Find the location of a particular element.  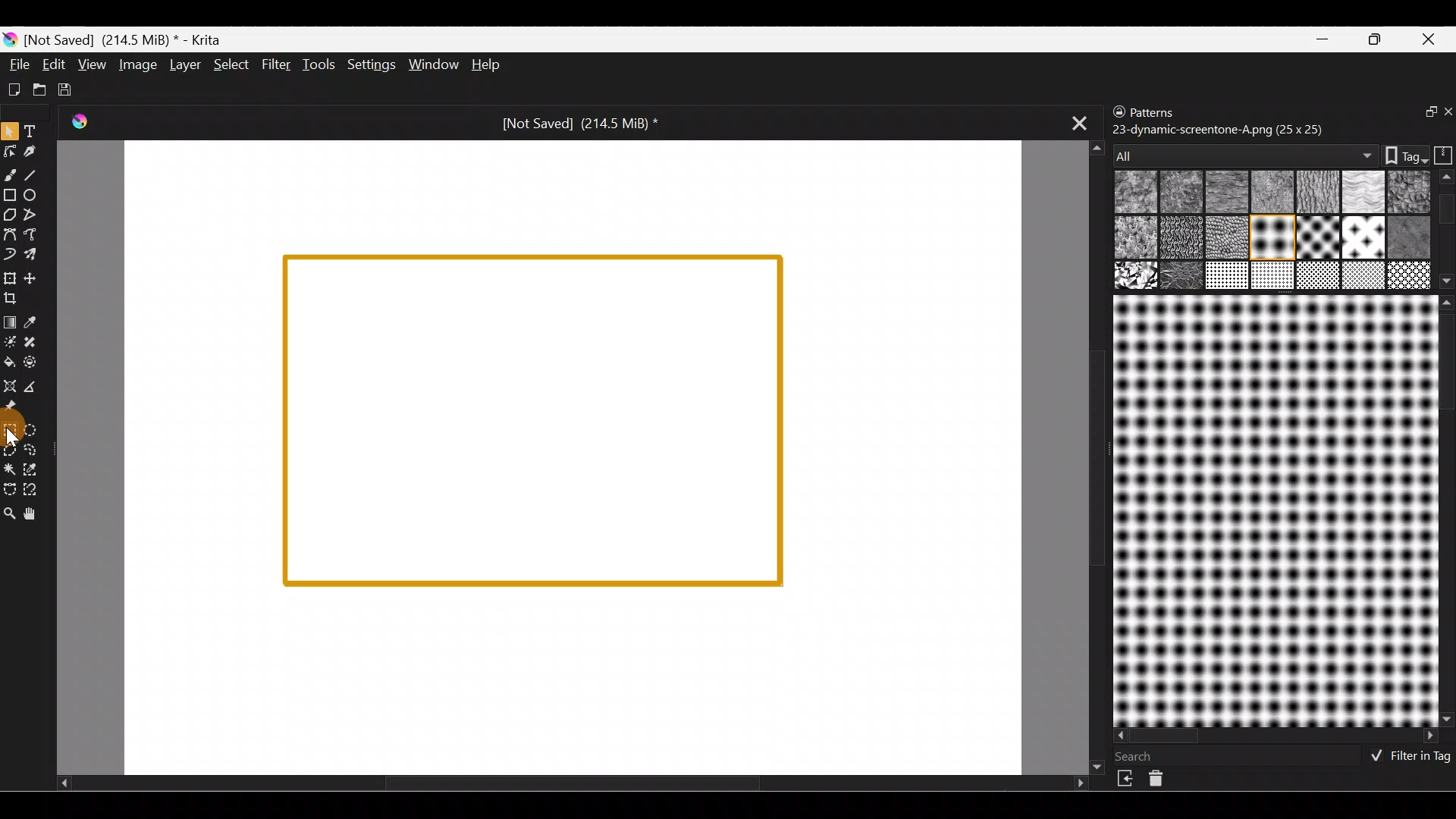

Similar colour selection tool is located at coordinates (36, 472).